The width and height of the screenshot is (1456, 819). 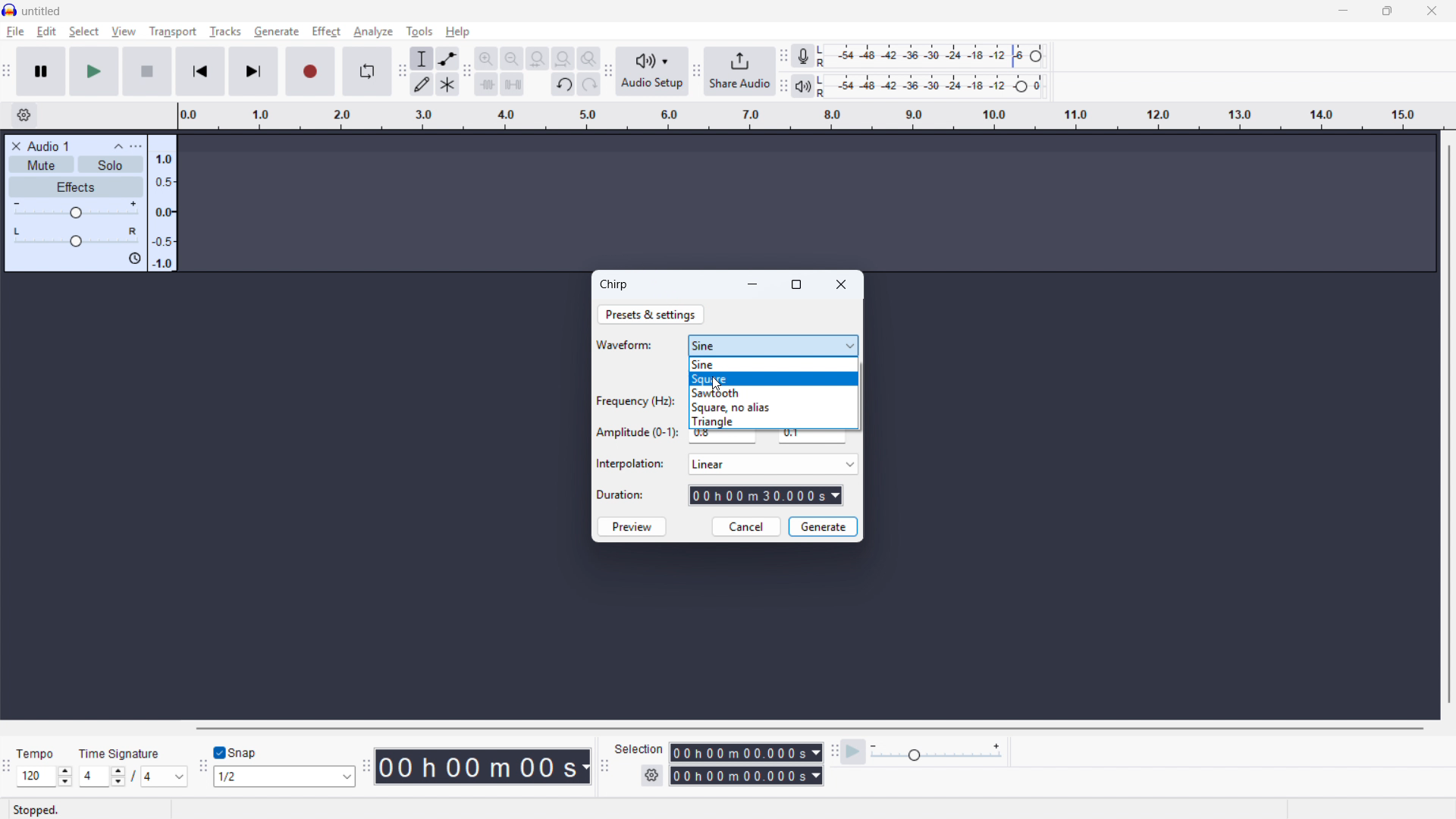 What do you see at coordinates (44, 777) in the screenshot?
I see `Set tempo ` at bounding box center [44, 777].